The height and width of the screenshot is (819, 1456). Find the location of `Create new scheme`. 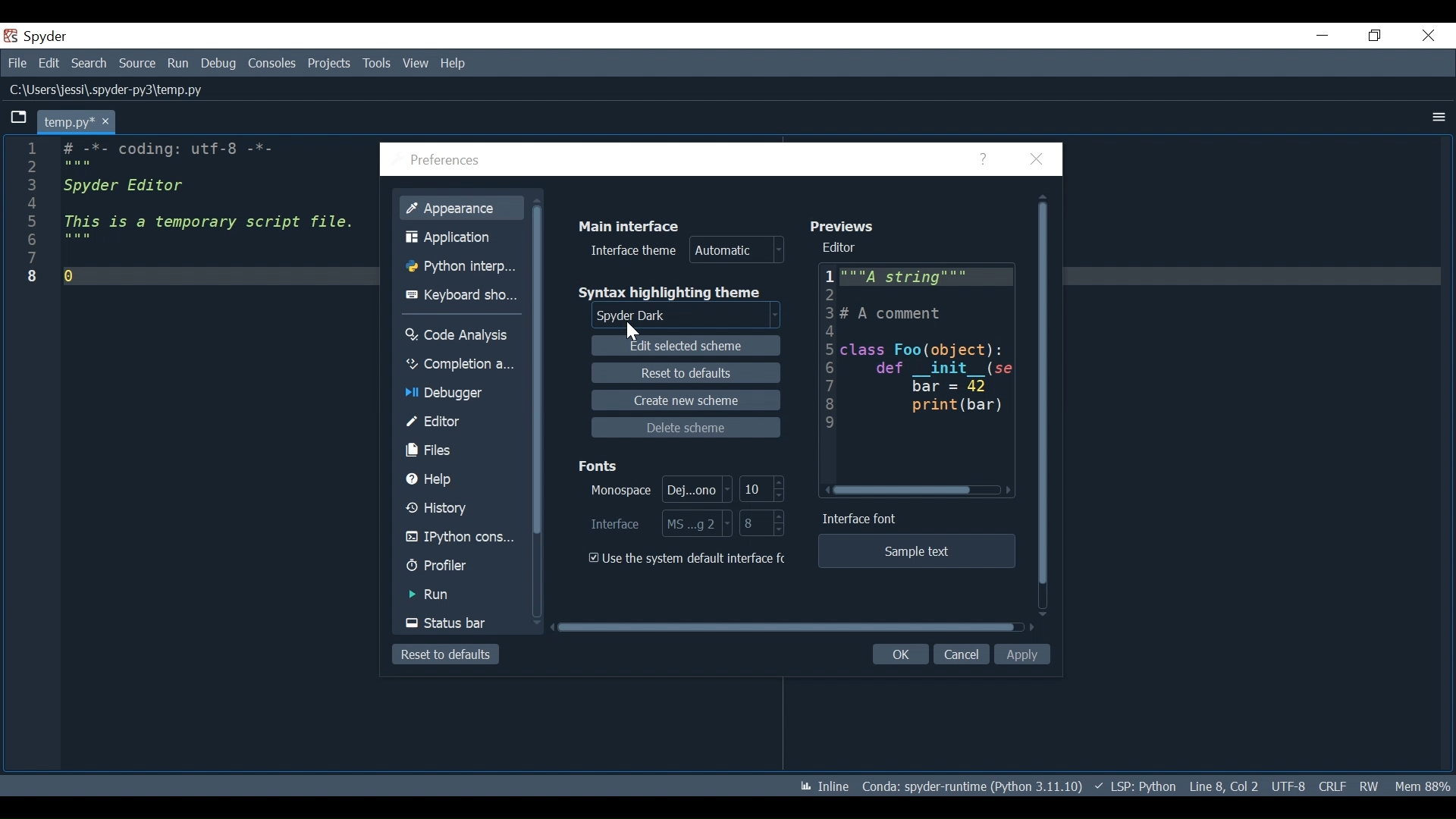

Create new scheme is located at coordinates (686, 400).